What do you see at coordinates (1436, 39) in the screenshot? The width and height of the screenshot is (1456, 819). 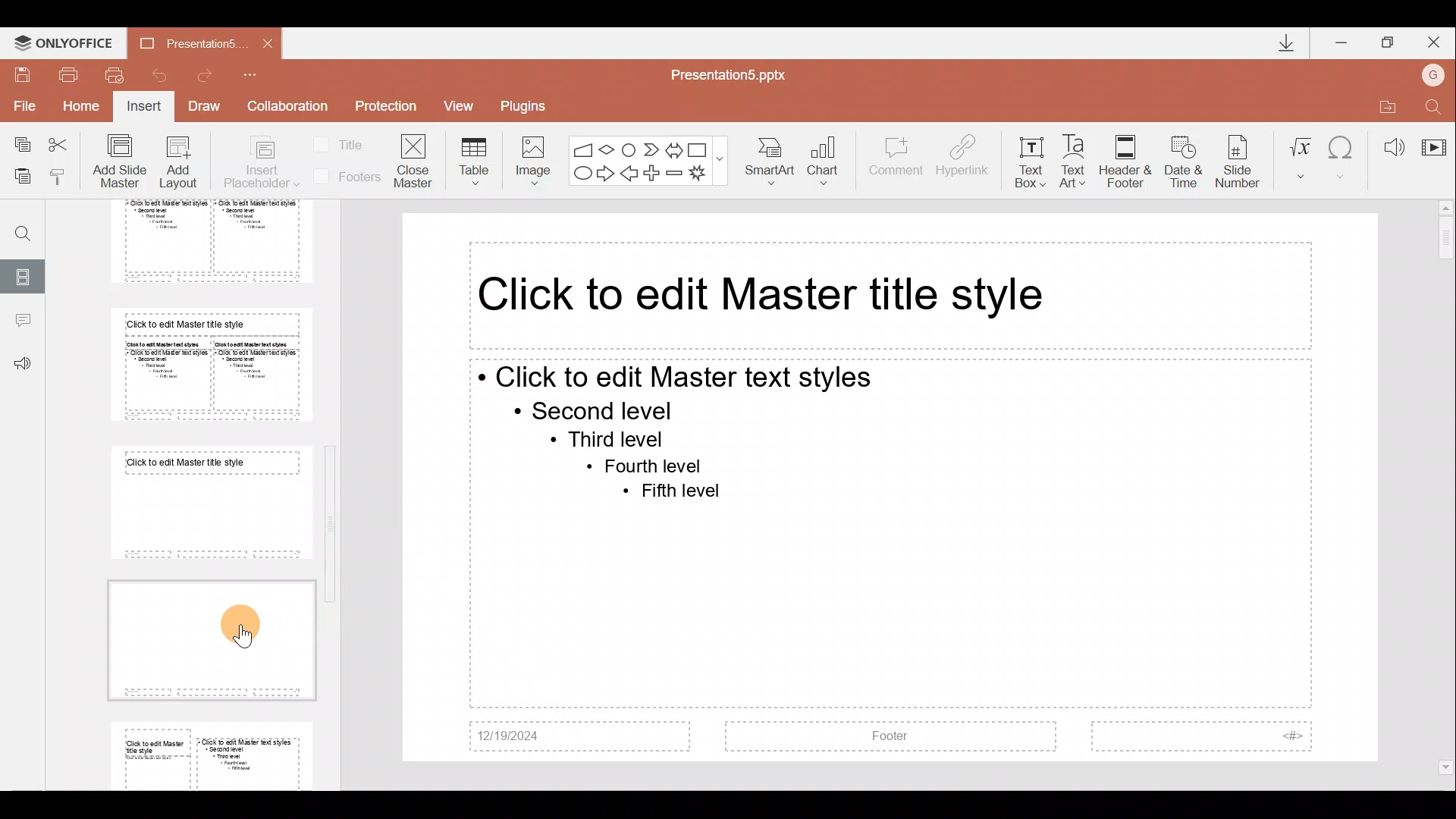 I see `Close` at bounding box center [1436, 39].